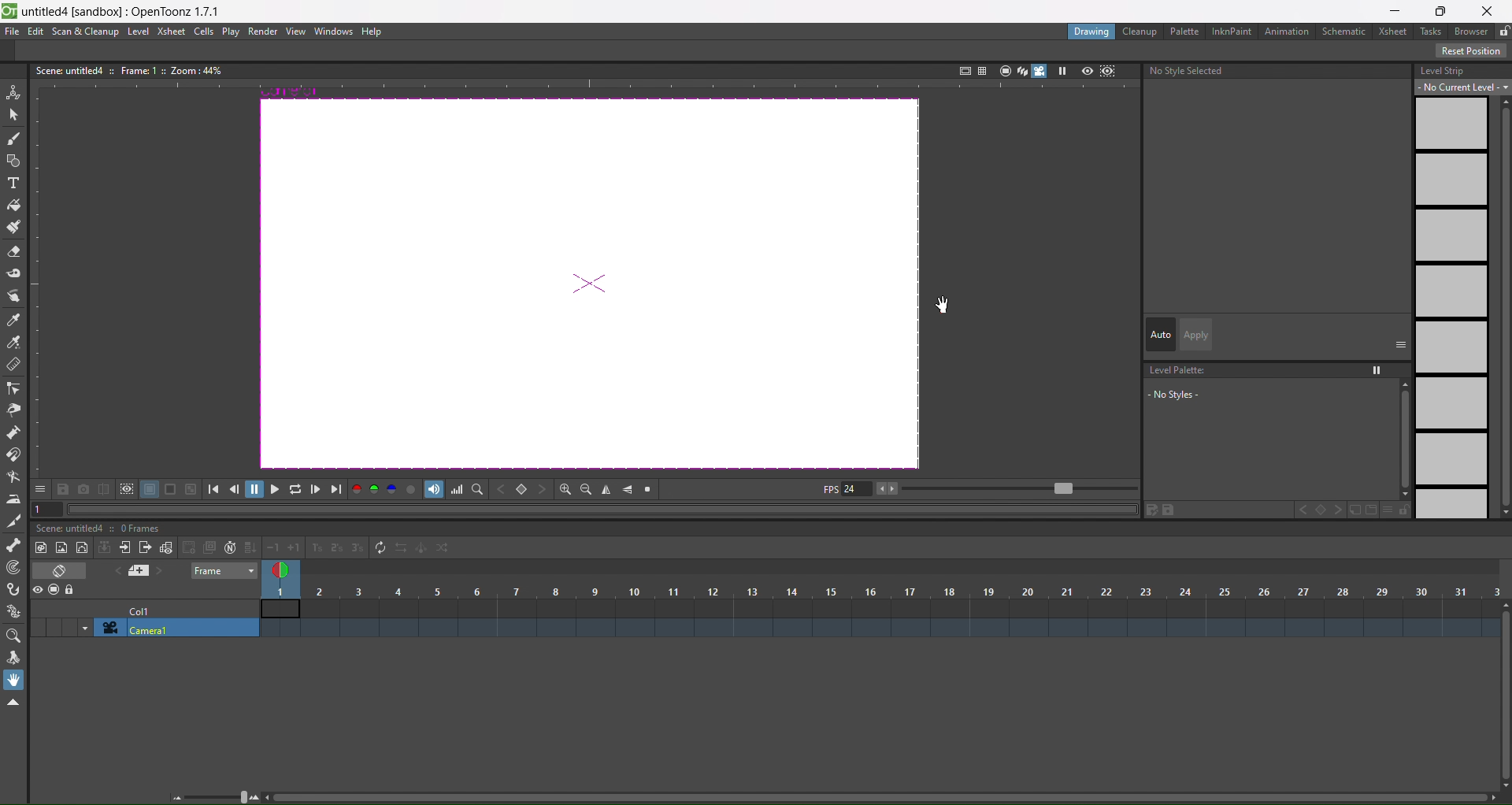 This screenshot has height=805, width=1512. What do you see at coordinates (882, 591) in the screenshot?
I see `column` at bounding box center [882, 591].